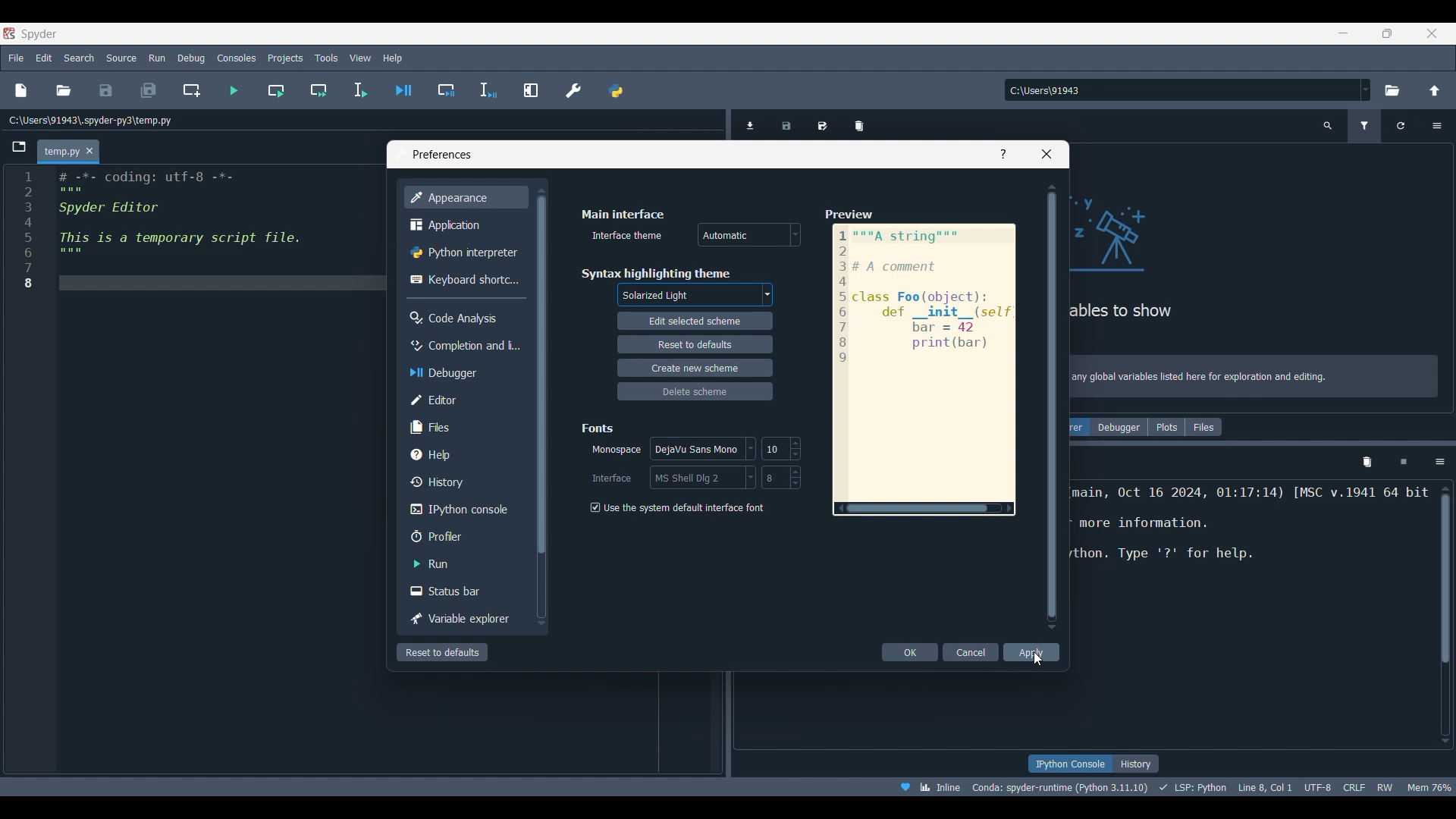  Describe the element at coordinates (1181, 90) in the screenshot. I see `Type in folder location` at that location.